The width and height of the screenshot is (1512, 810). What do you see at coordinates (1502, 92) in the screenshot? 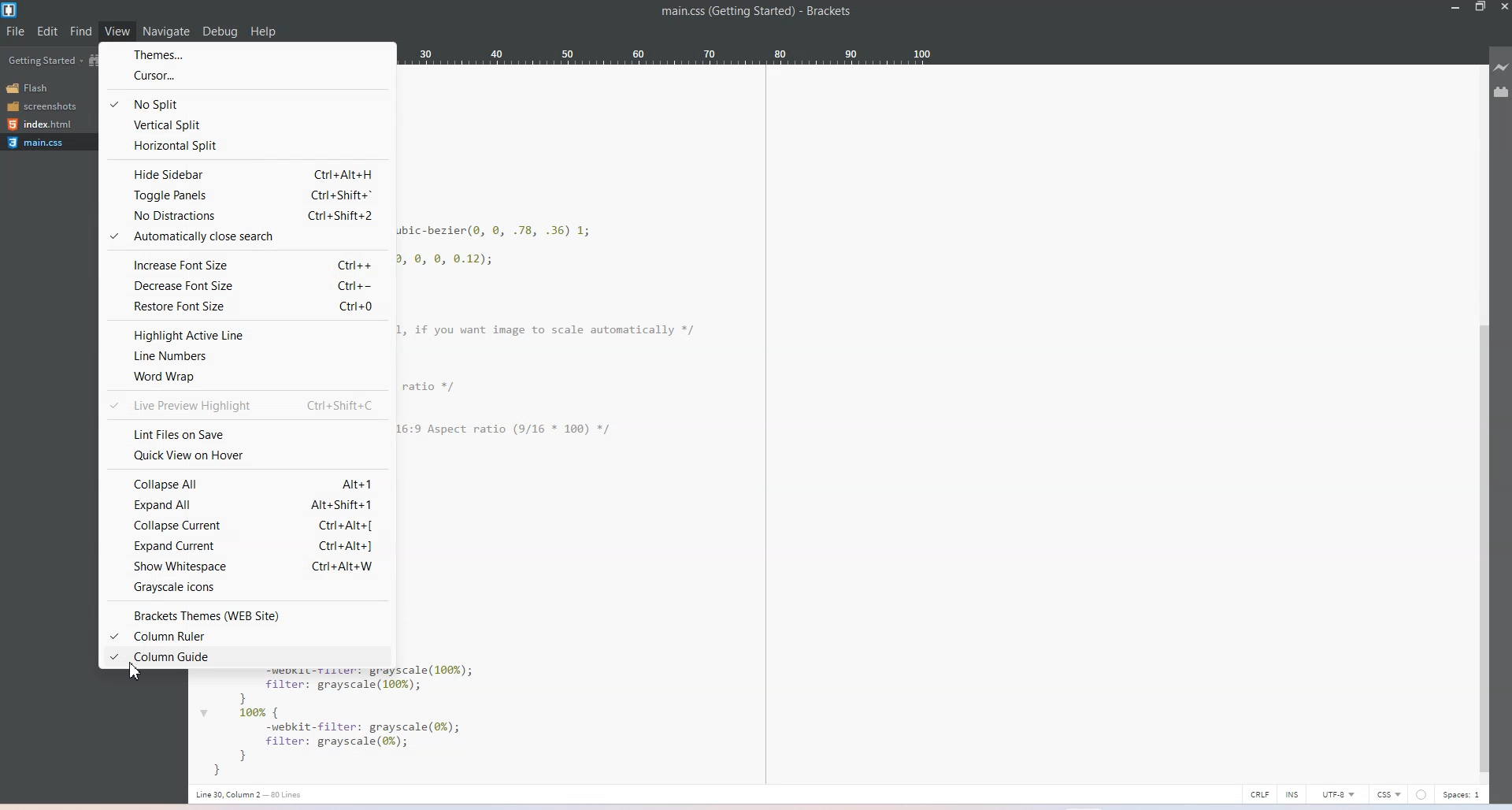
I see `Extension Manager` at bounding box center [1502, 92].